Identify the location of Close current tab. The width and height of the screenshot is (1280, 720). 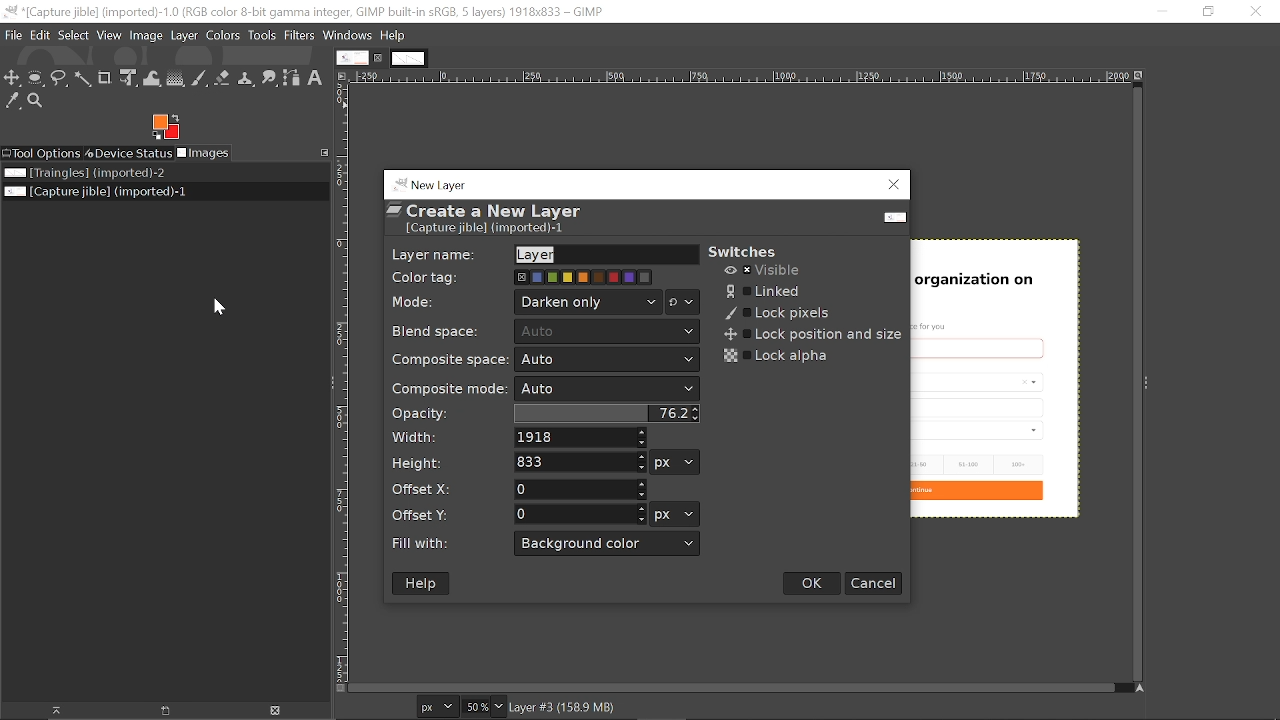
(379, 58).